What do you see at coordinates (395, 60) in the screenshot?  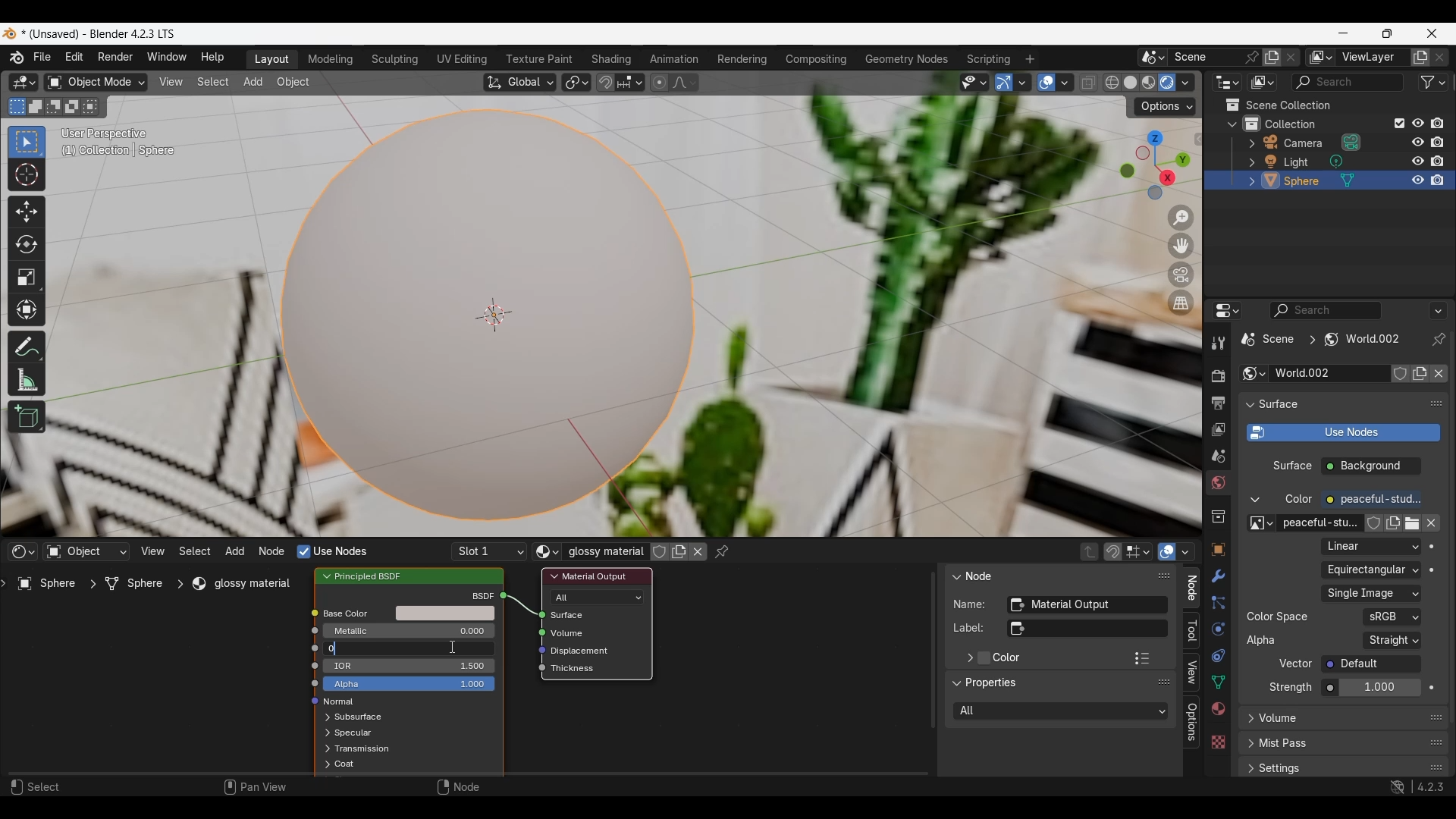 I see `Sculpting workspace` at bounding box center [395, 60].